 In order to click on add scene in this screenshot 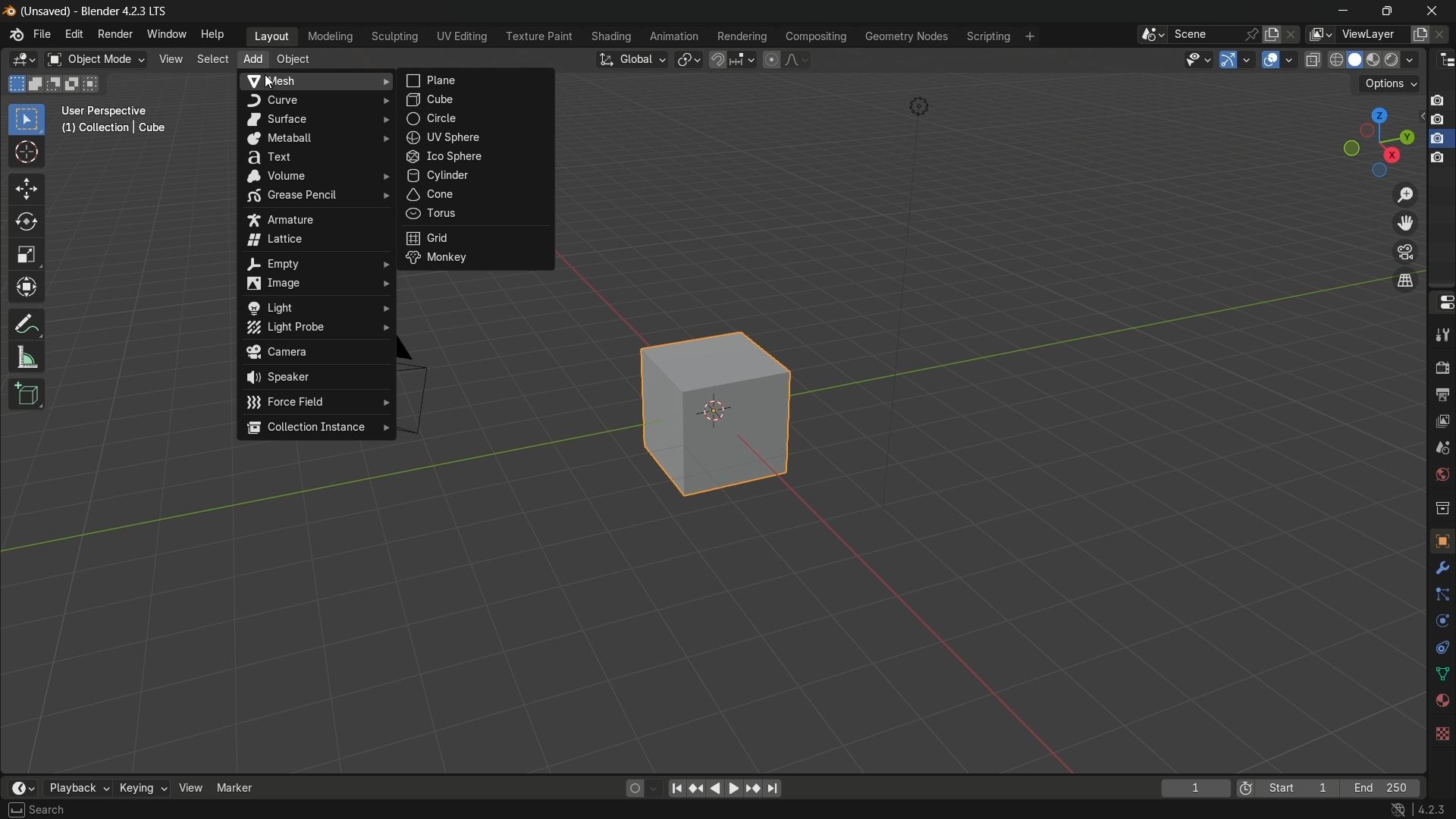, I will do `click(1272, 35)`.